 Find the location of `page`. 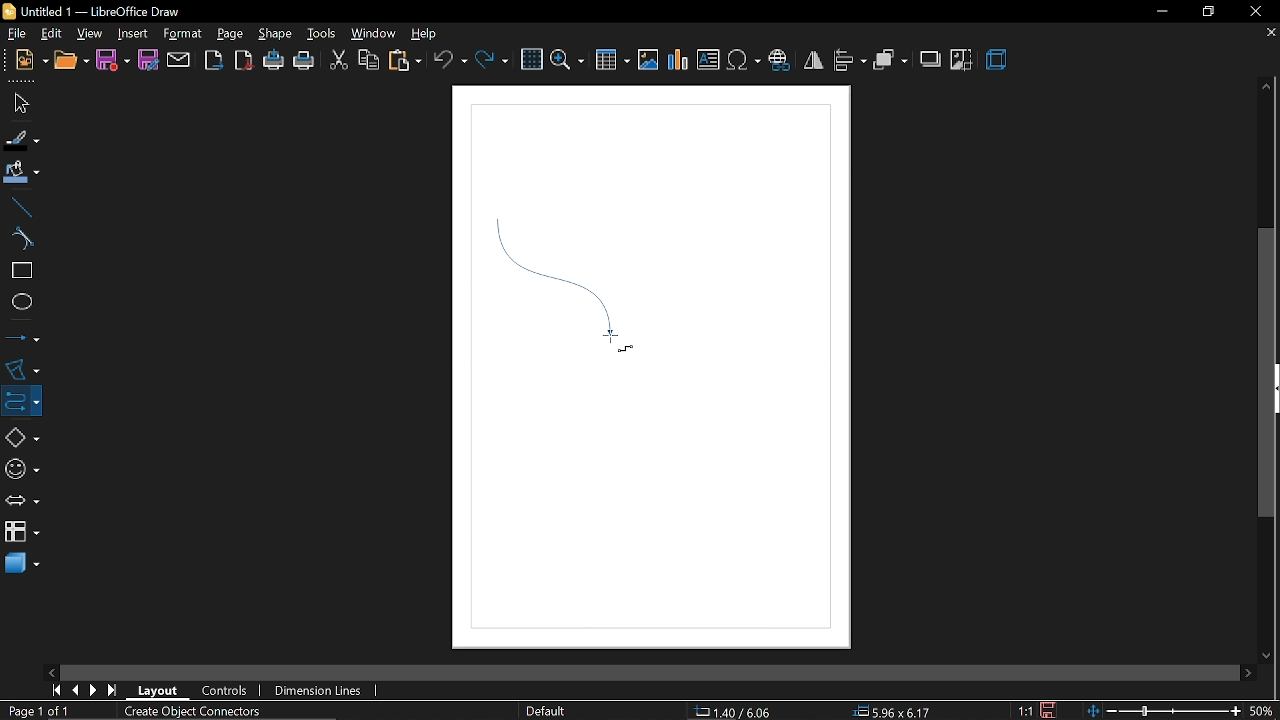

page is located at coordinates (230, 31).